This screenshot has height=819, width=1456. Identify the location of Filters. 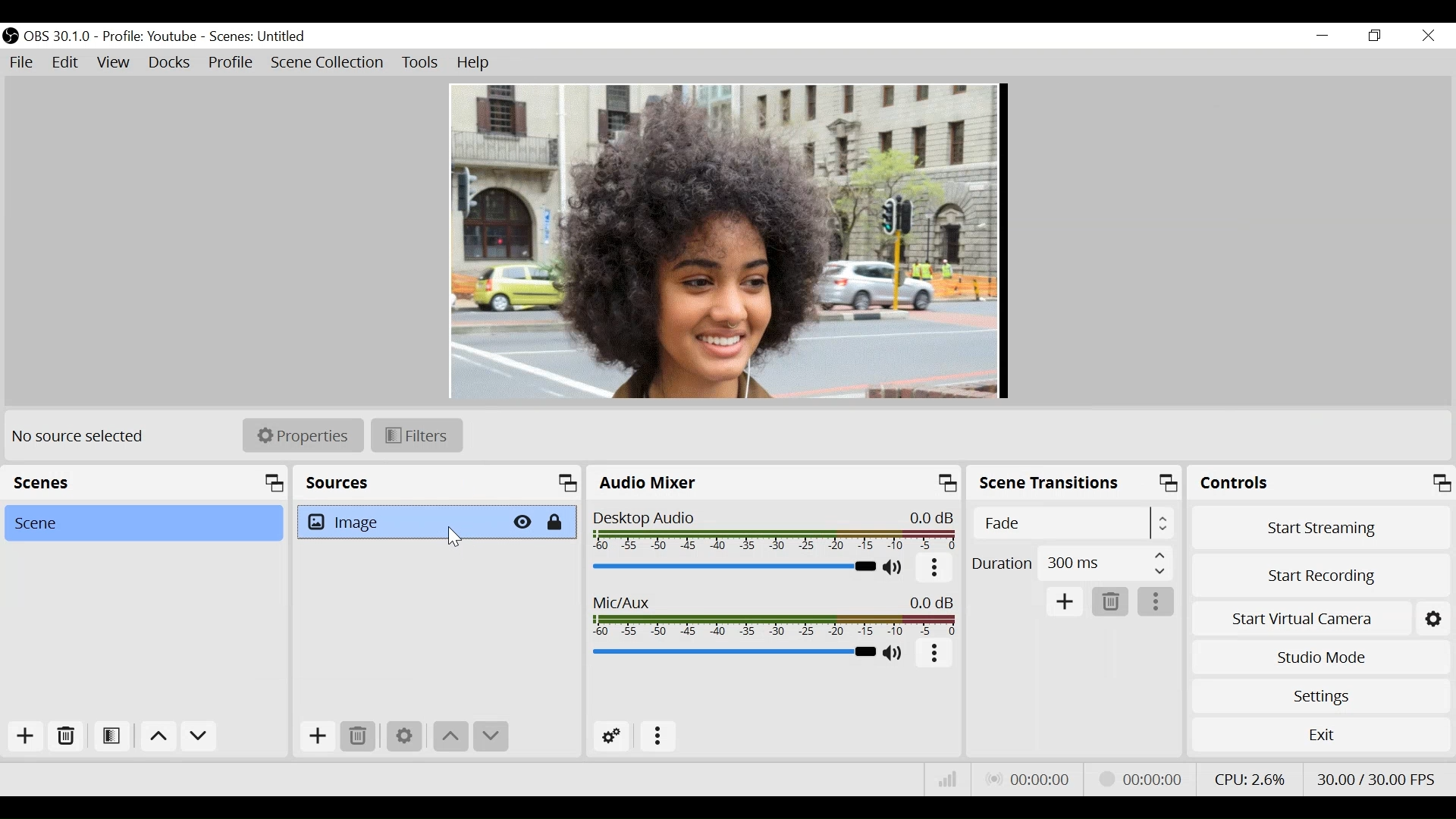
(417, 435).